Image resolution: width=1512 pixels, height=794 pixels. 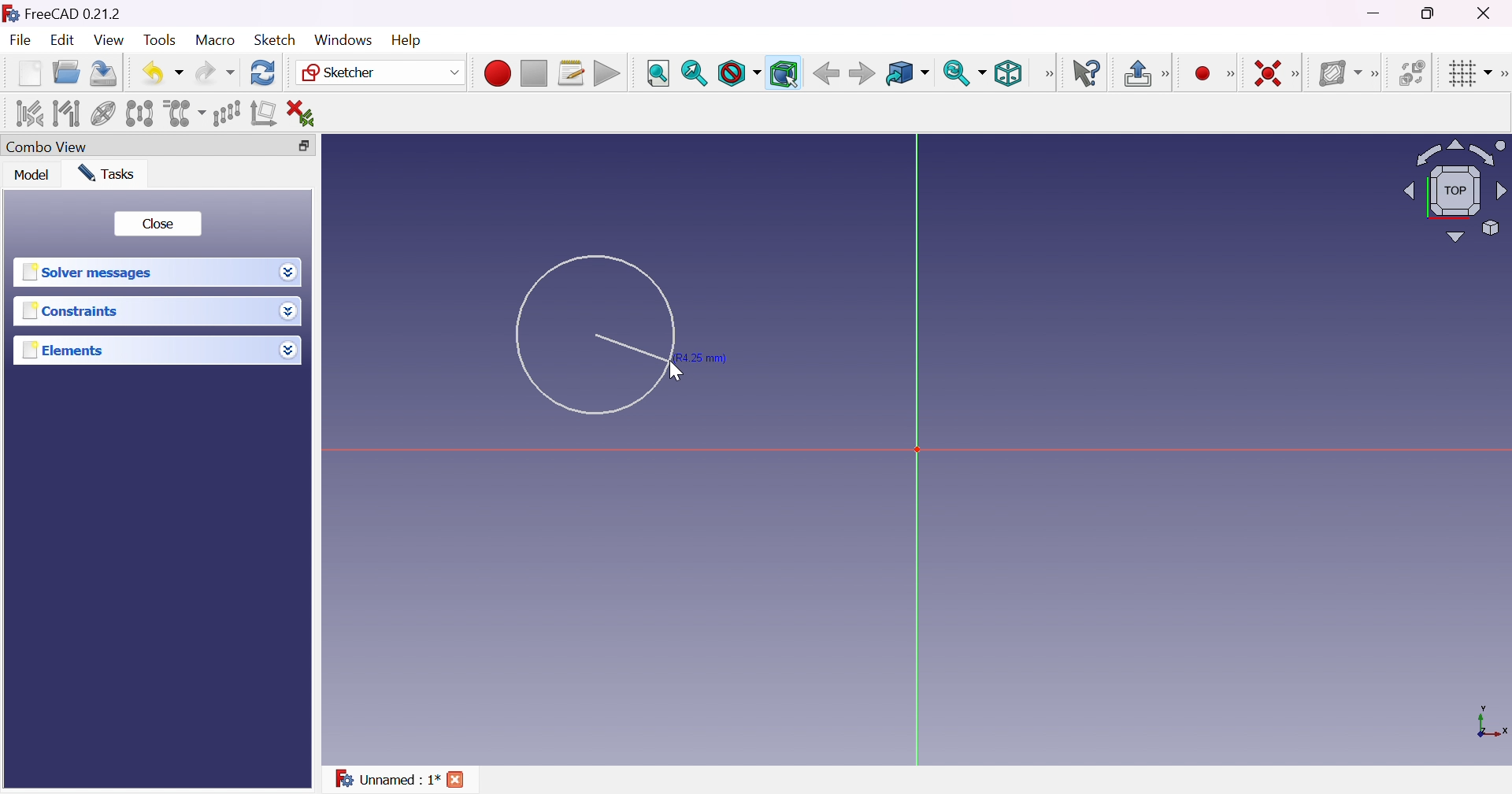 What do you see at coordinates (216, 40) in the screenshot?
I see `Macro` at bounding box center [216, 40].